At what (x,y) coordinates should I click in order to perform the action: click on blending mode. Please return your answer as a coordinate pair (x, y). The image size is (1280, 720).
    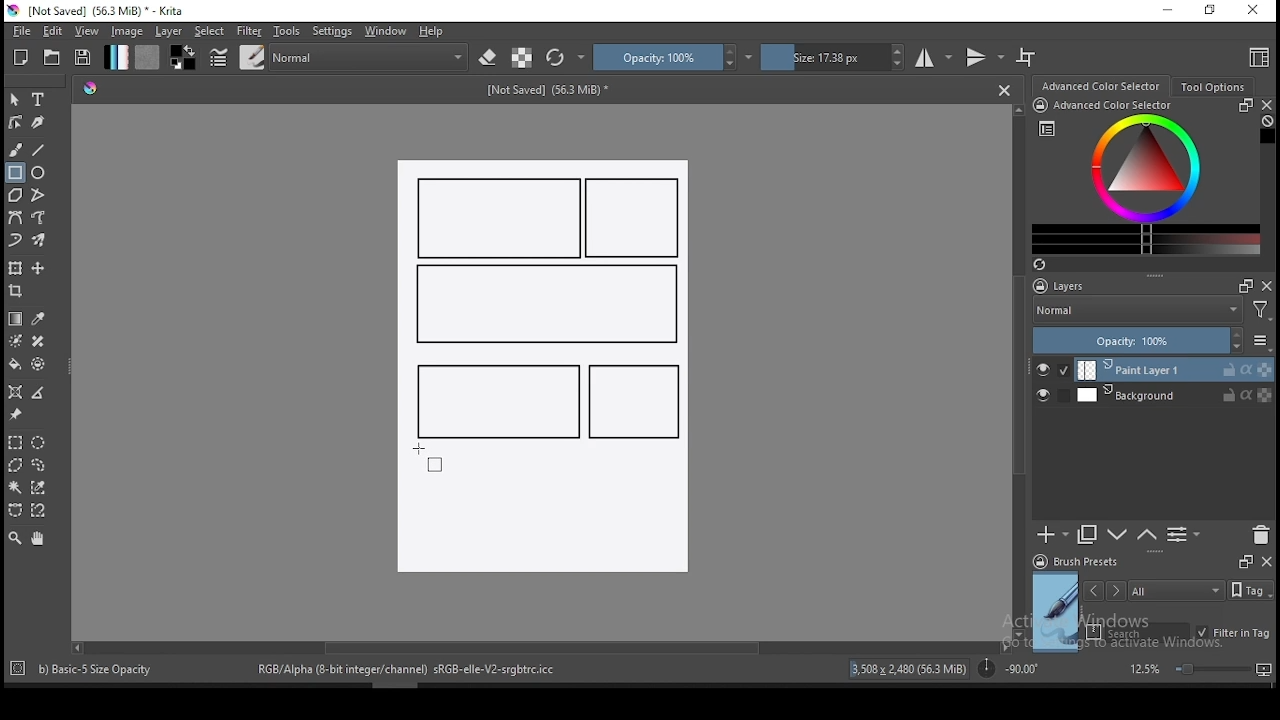
    Looking at the image, I should click on (1136, 312).